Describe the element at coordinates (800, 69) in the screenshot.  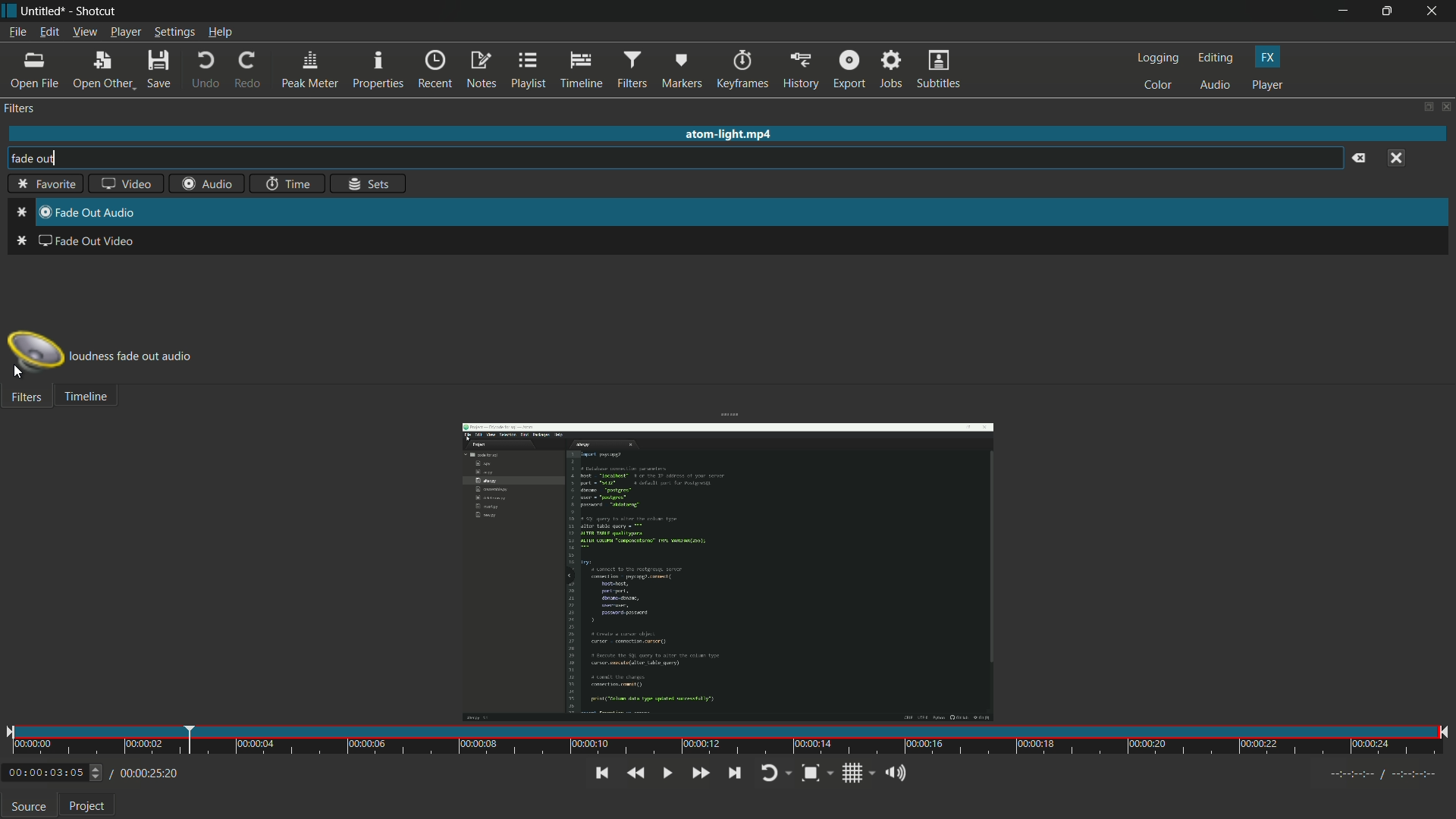
I see `history` at that location.